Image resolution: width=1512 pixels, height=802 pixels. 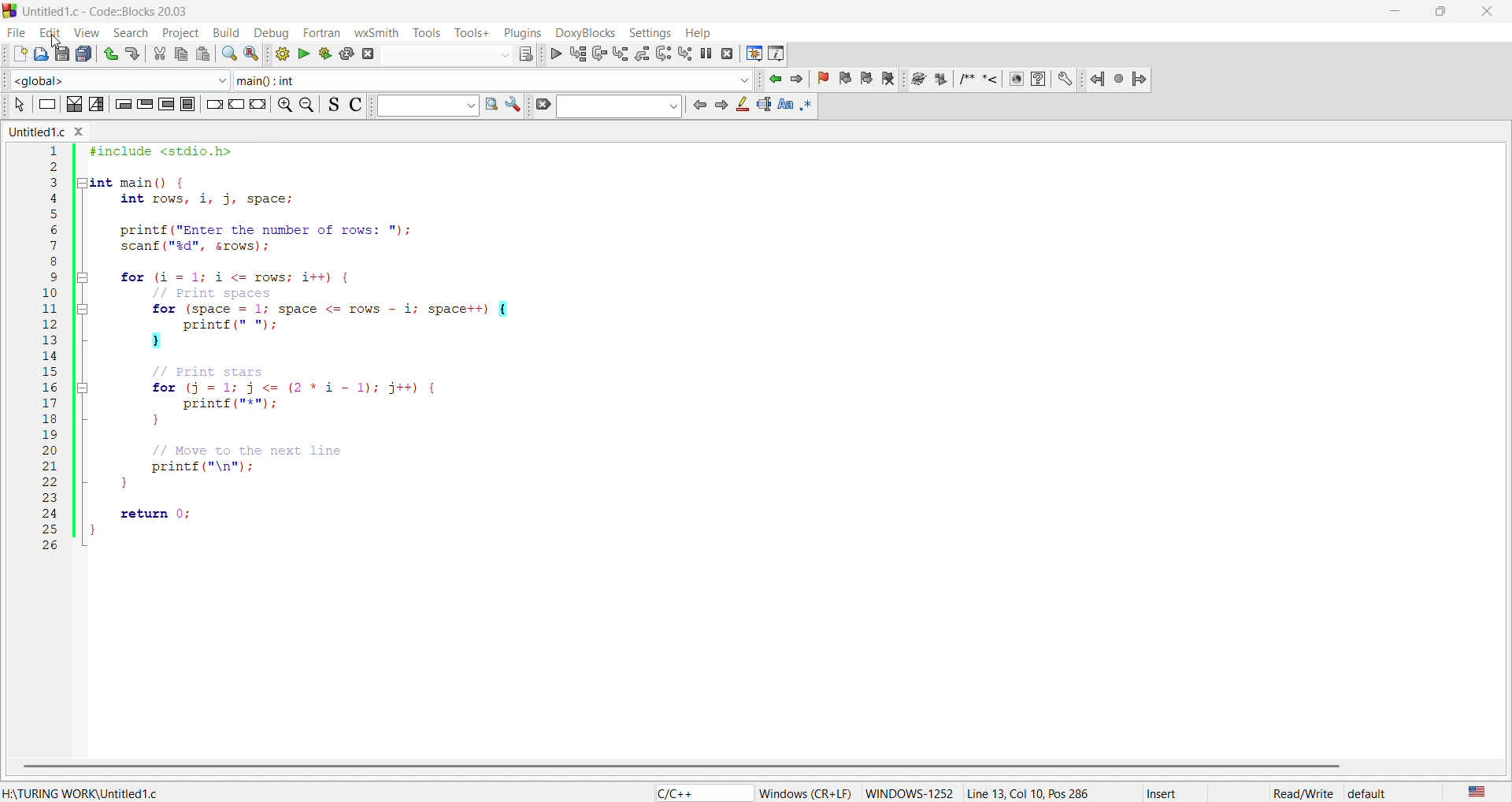 What do you see at coordinates (122, 104) in the screenshot?
I see `enter condition loop` at bounding box center [122, 104].